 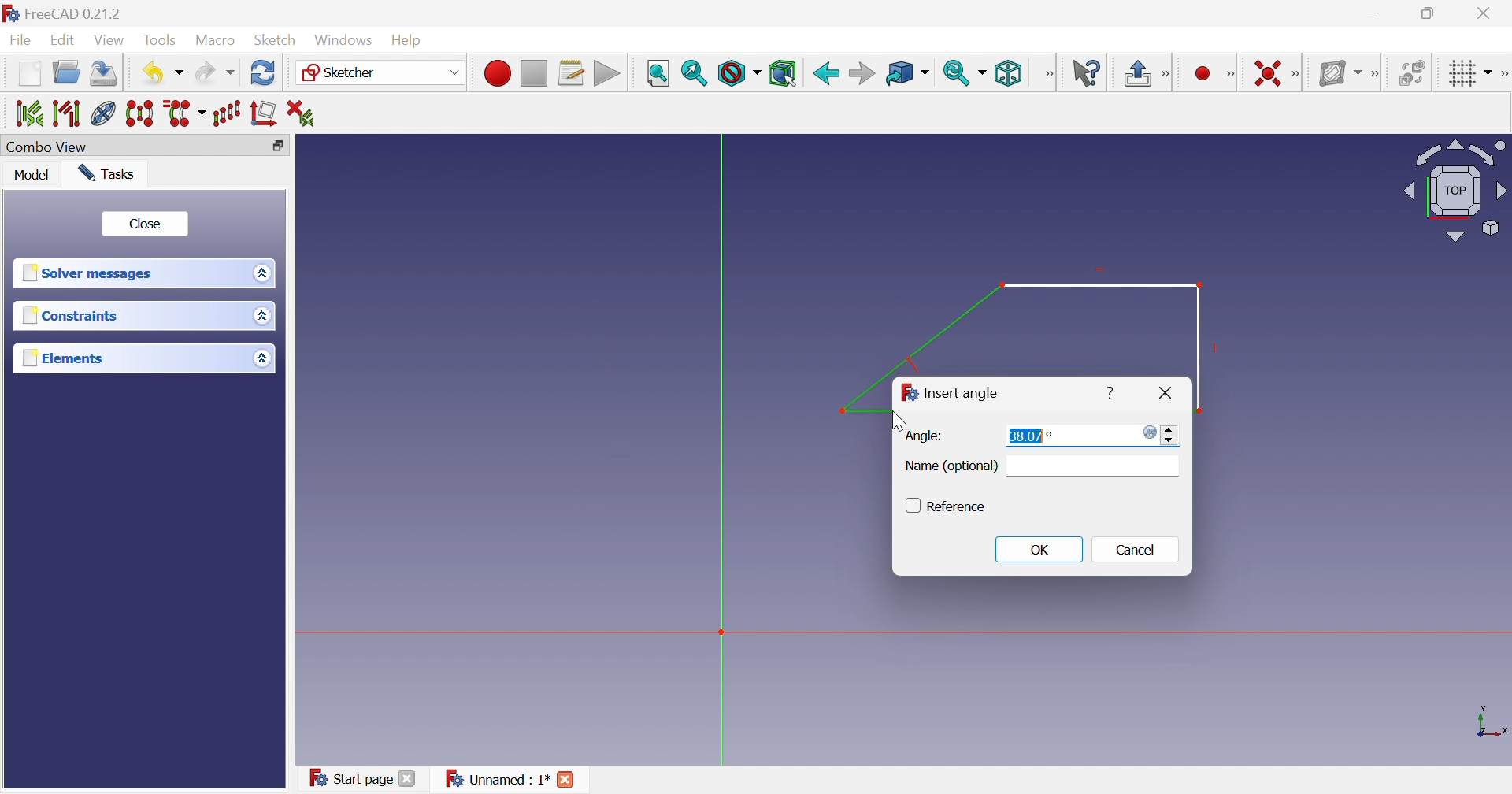 What do you see at coordinates (64, 41) in the screenshot?
I see `Edit` at bounding box center [64, 41].